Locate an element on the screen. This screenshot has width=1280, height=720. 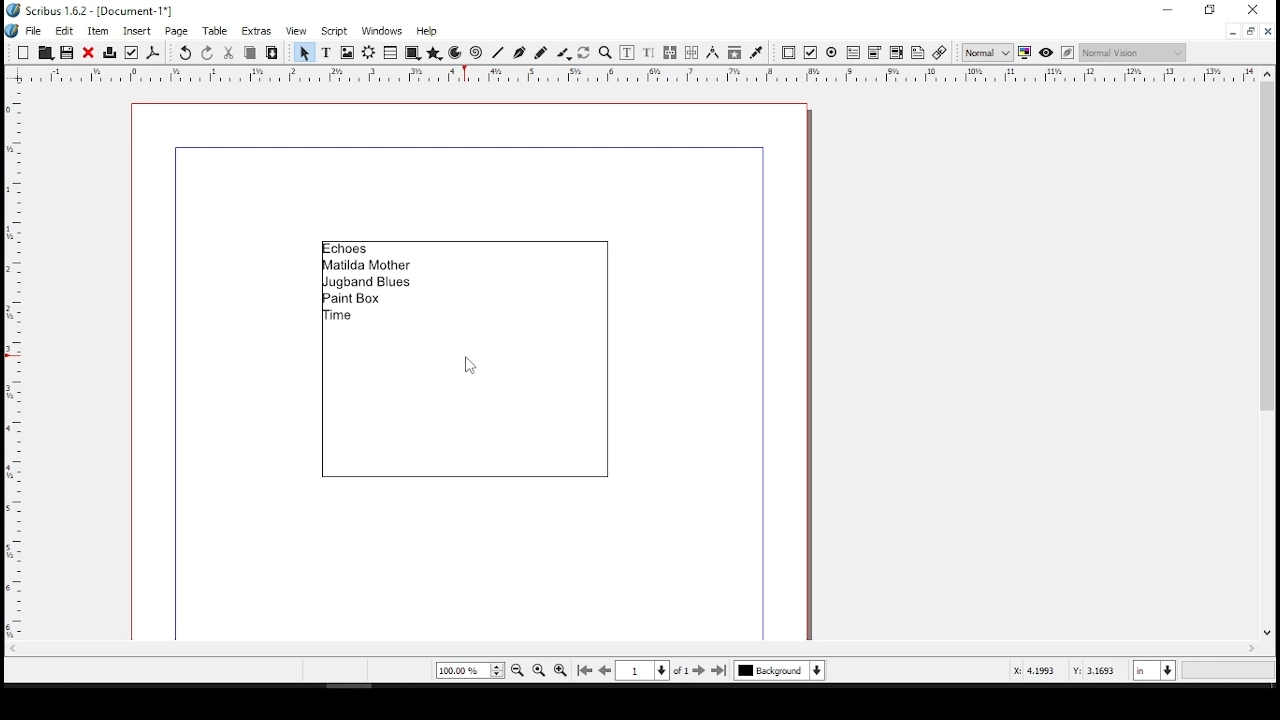
calligraphy lines is located at coordinates (564, 53).